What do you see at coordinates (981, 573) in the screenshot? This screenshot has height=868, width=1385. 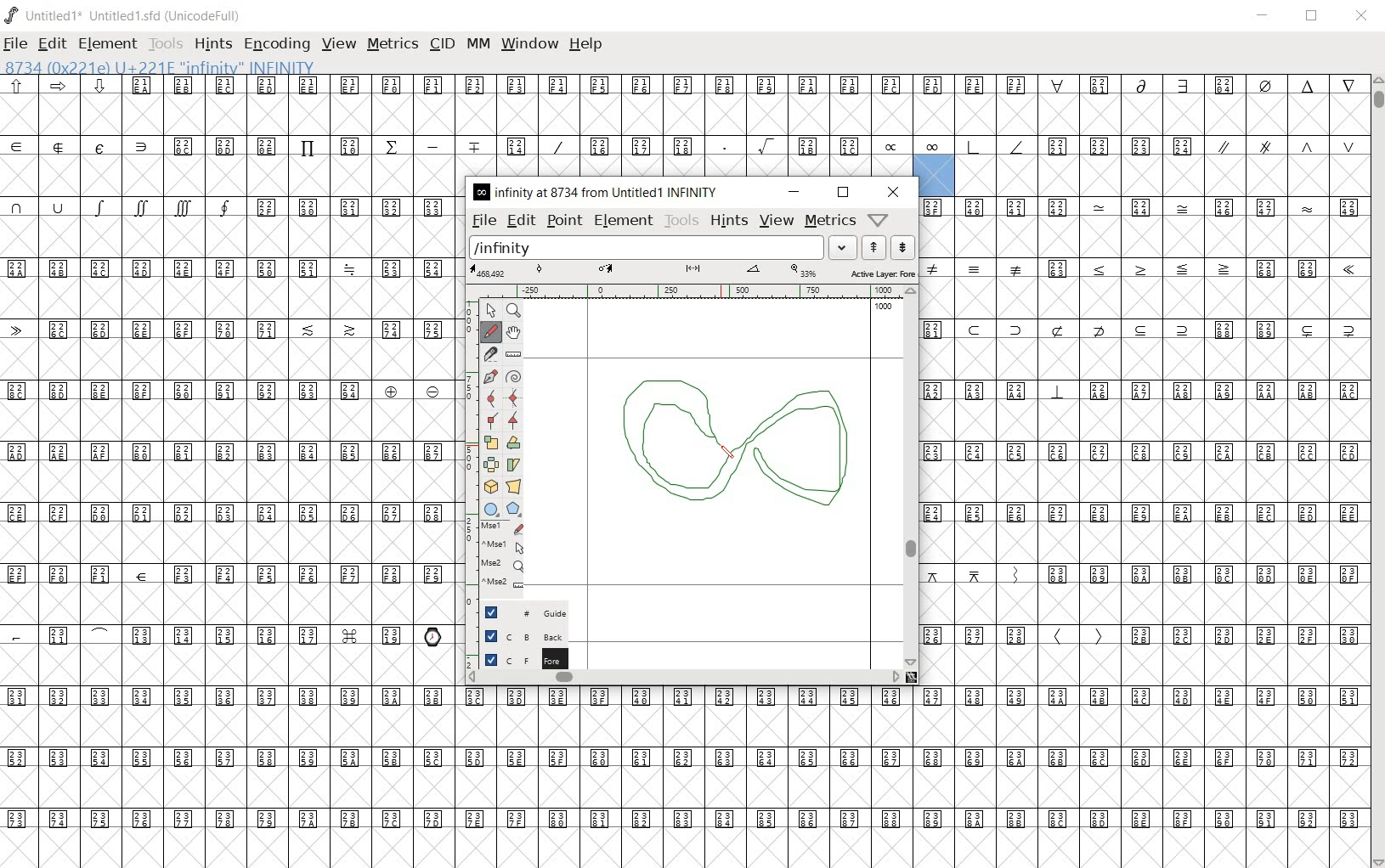 I see `symbols` at bounding box center [981, 573].